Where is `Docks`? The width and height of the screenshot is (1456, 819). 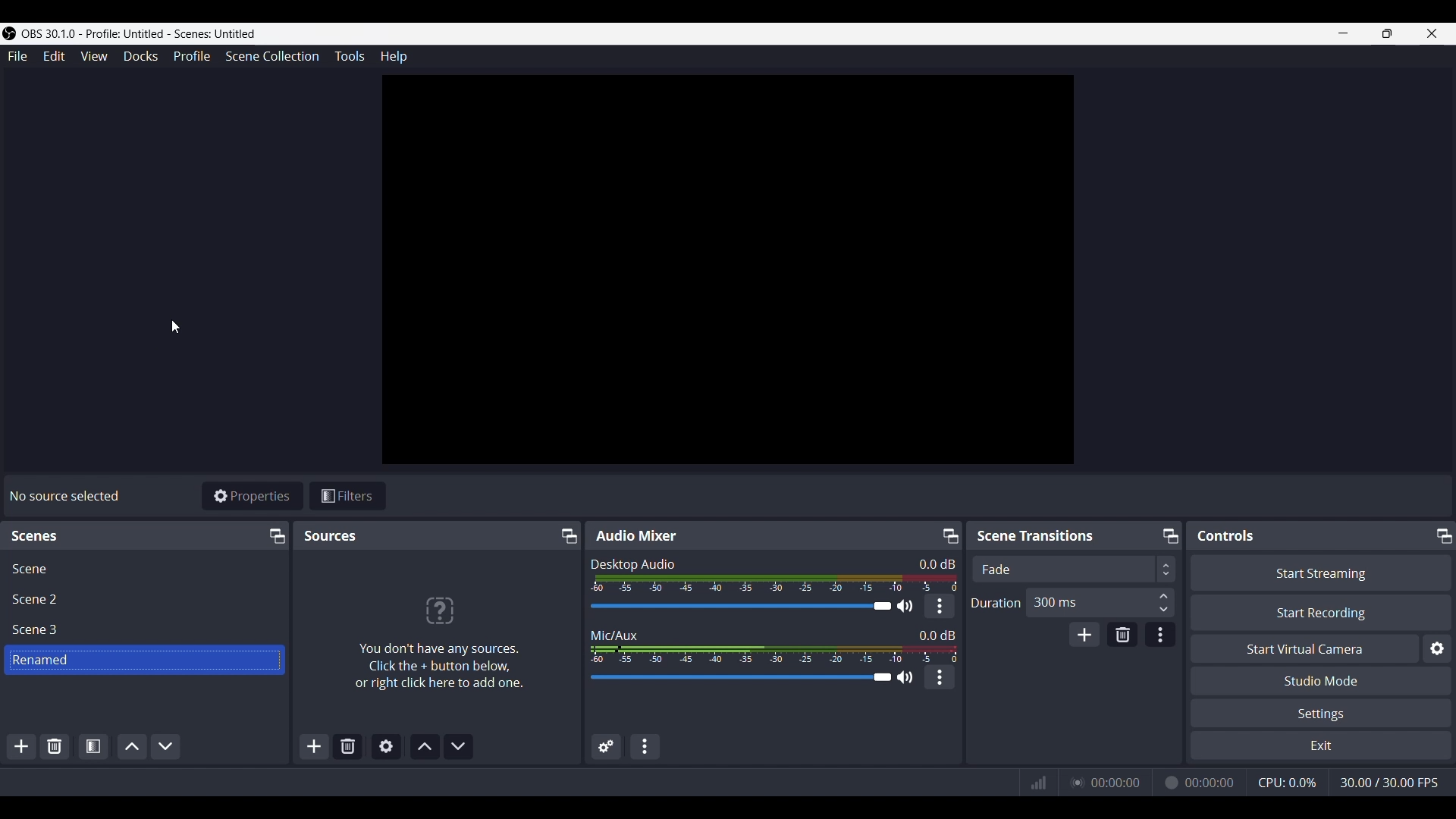 Docks is located at coordinates (141, 57).